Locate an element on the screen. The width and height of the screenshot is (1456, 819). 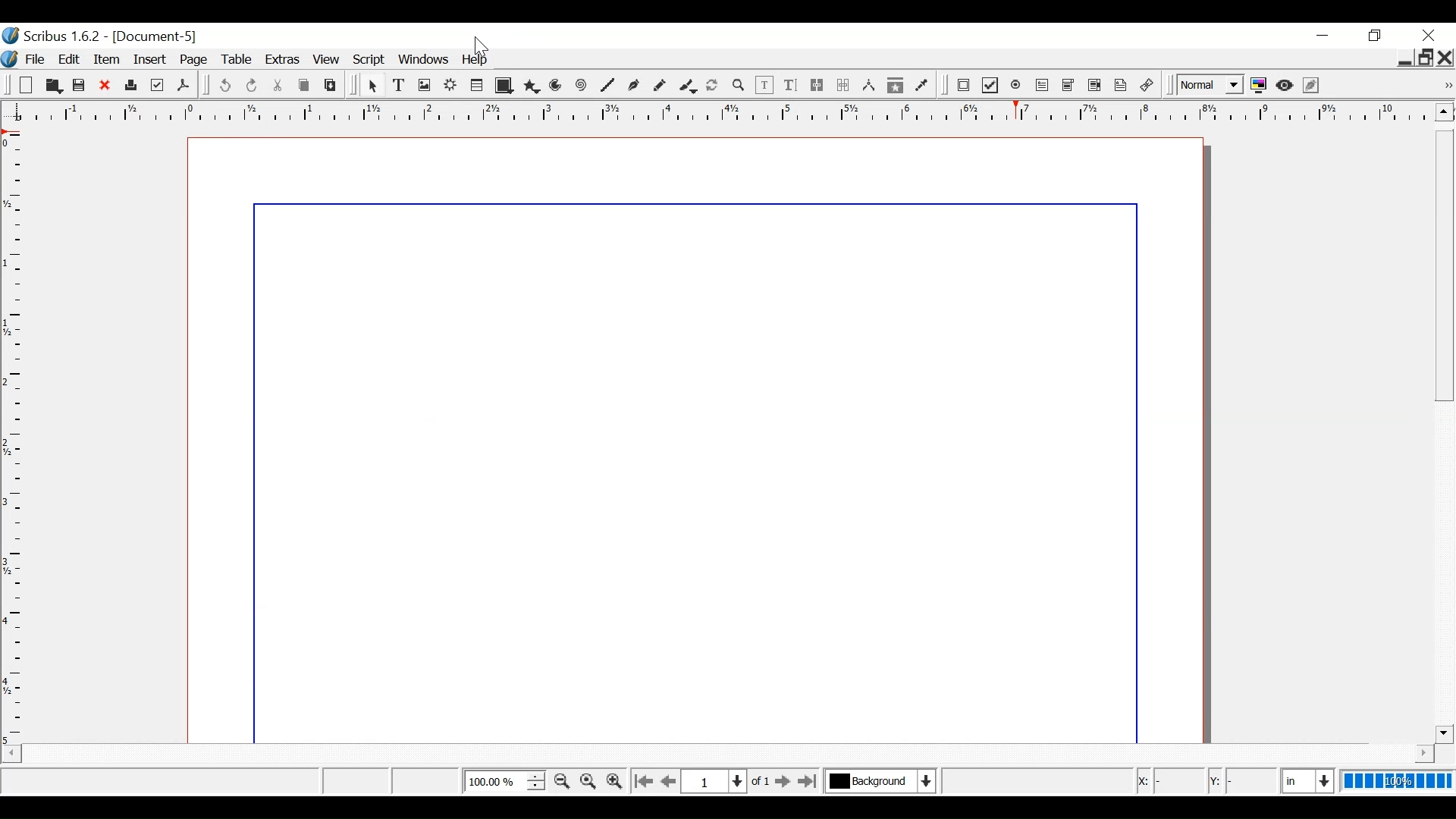
PDF push button is located at coordinates (963, 85).